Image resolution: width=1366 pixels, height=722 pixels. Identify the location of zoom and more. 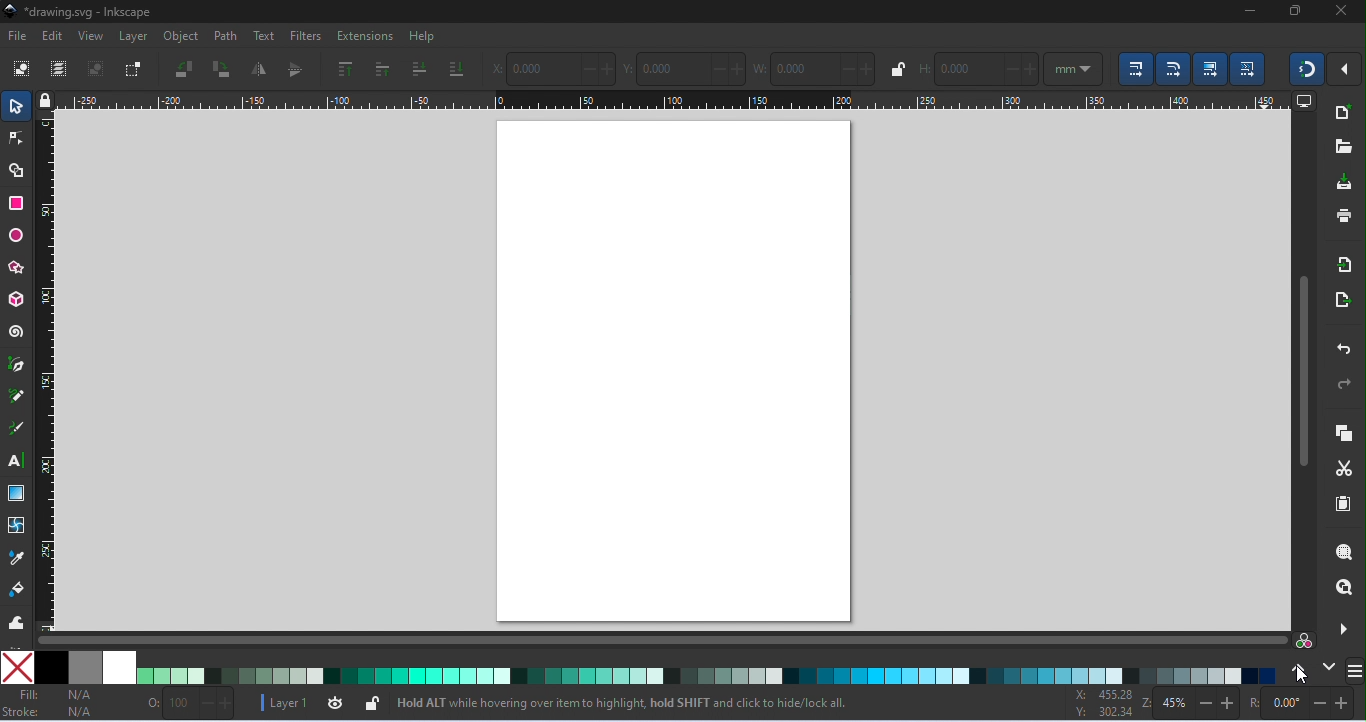
(1341, 627).